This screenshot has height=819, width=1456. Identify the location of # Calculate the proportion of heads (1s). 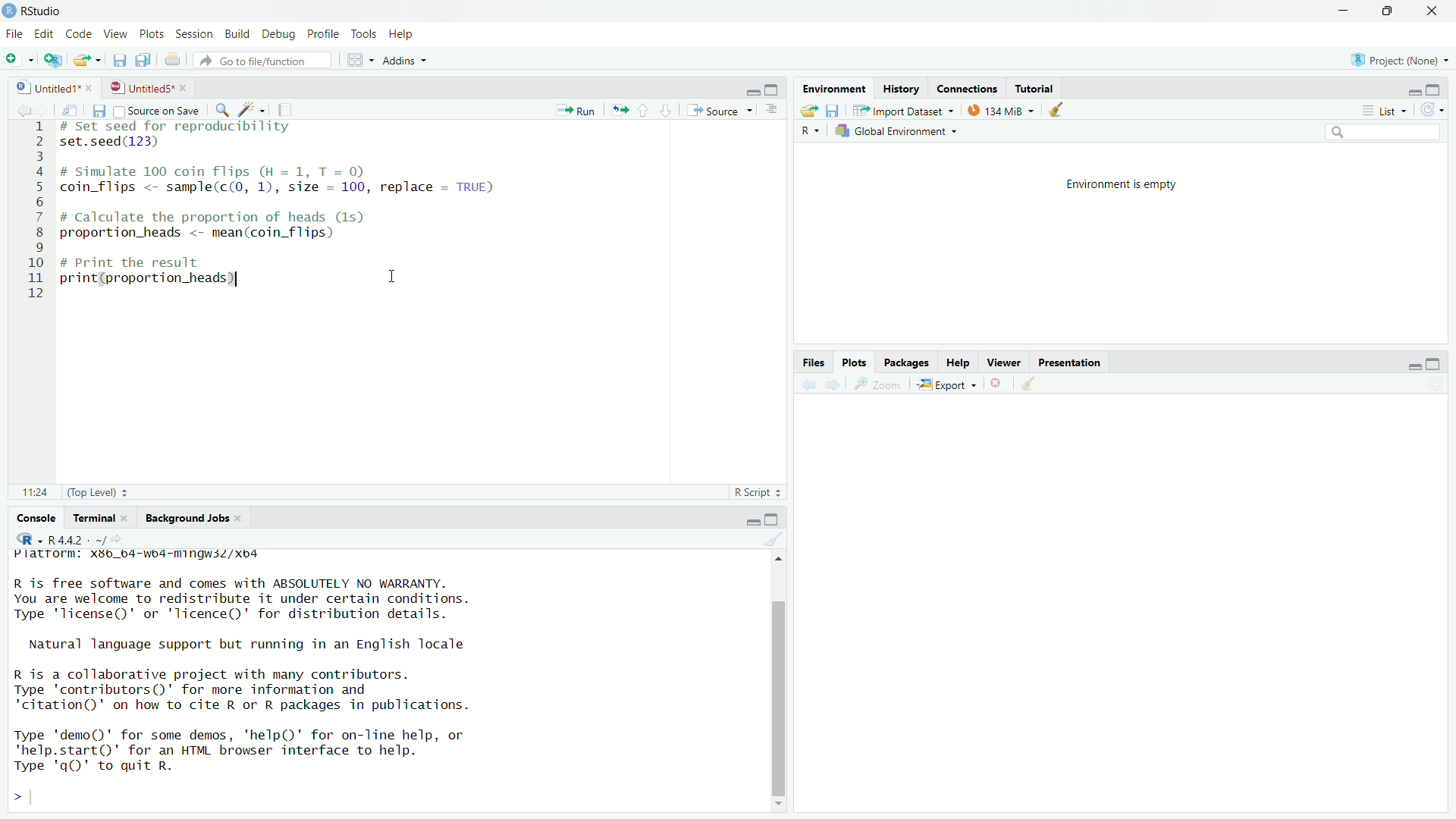
(232, 218).